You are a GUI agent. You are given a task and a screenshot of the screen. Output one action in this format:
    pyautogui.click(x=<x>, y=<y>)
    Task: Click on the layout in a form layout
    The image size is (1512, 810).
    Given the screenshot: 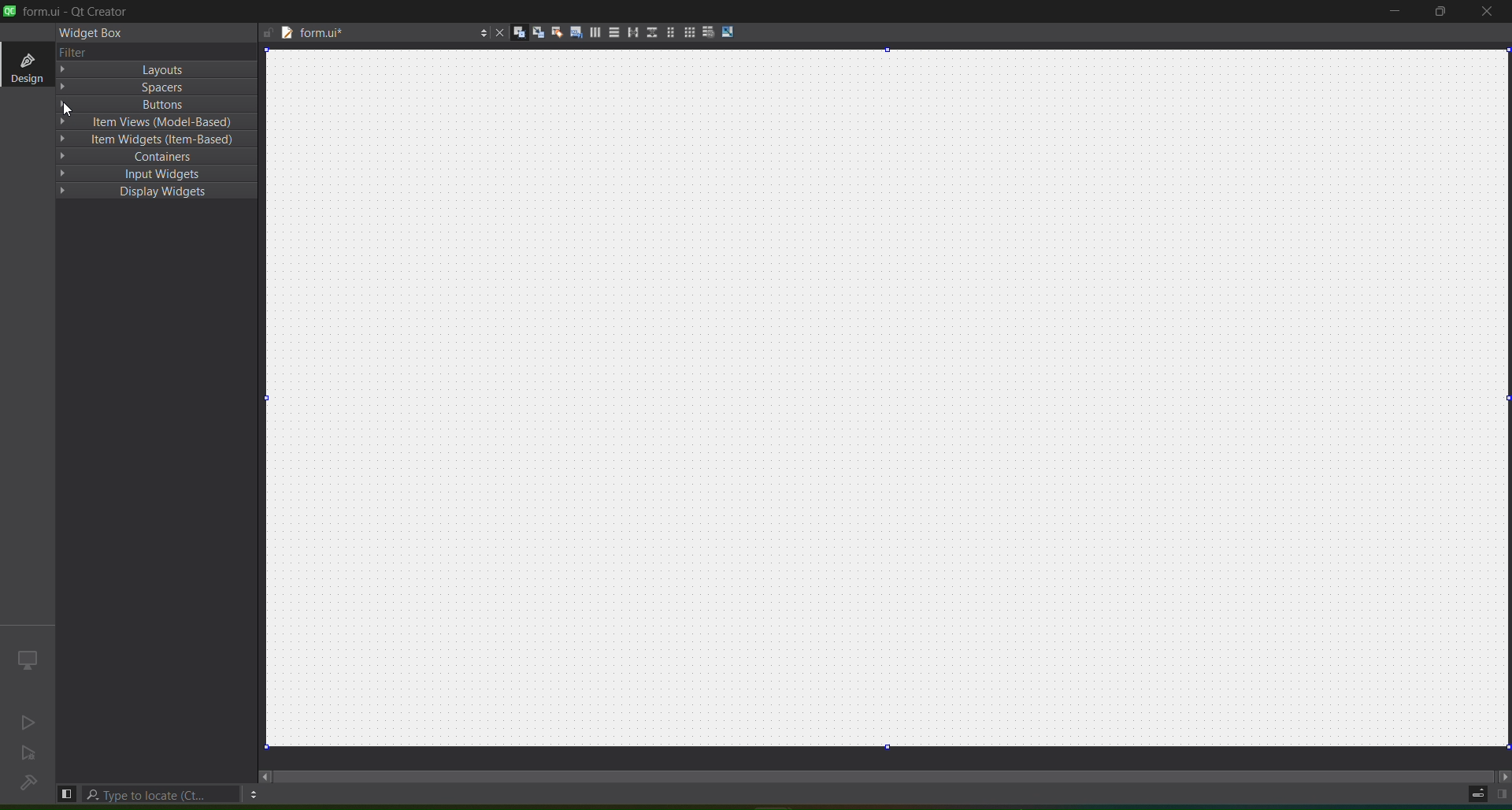 What is the action you would take?
    pyautogui.click(x=669, y=31)
    